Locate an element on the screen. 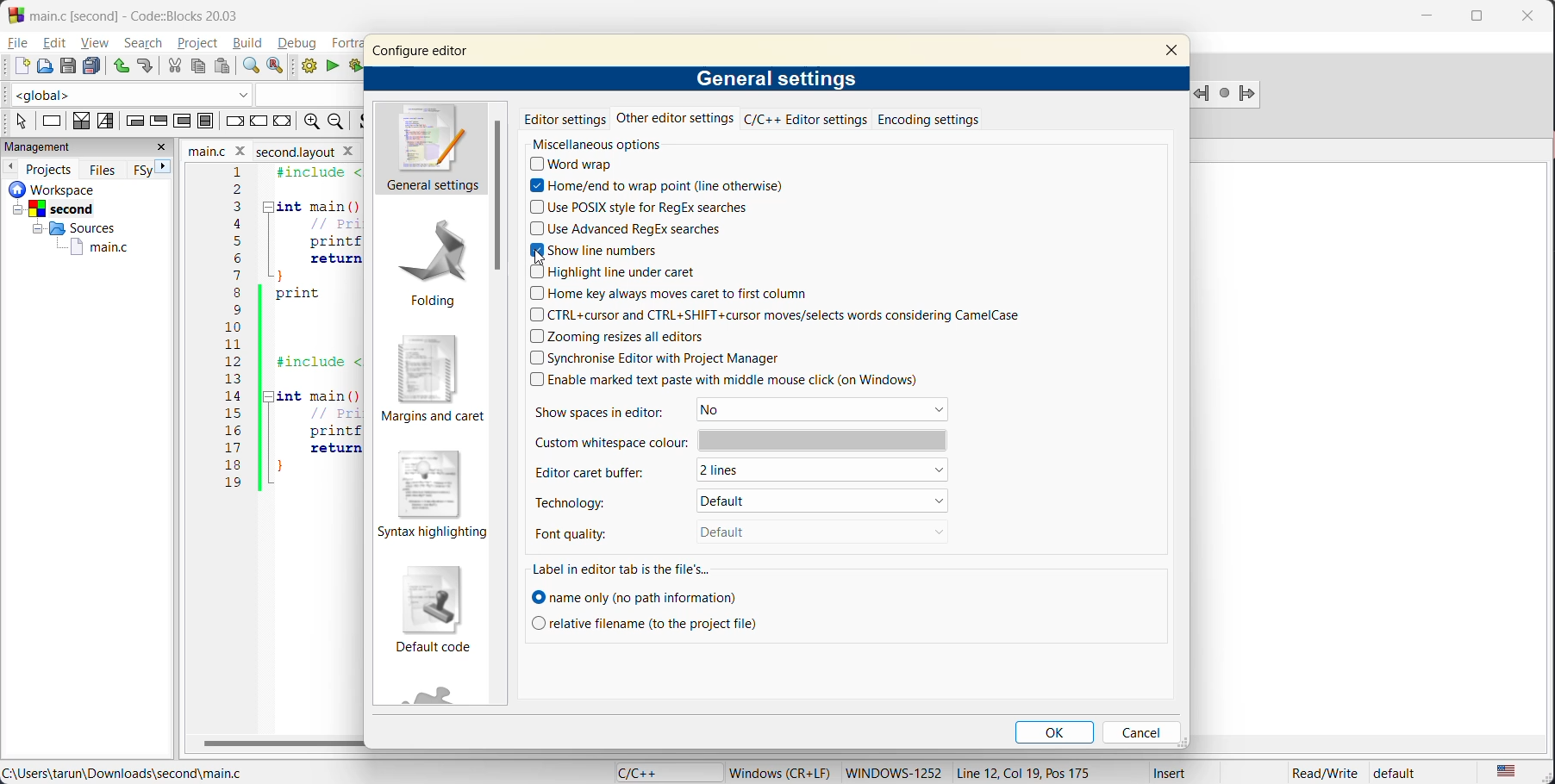  paste is located at coordinates (222, 66).